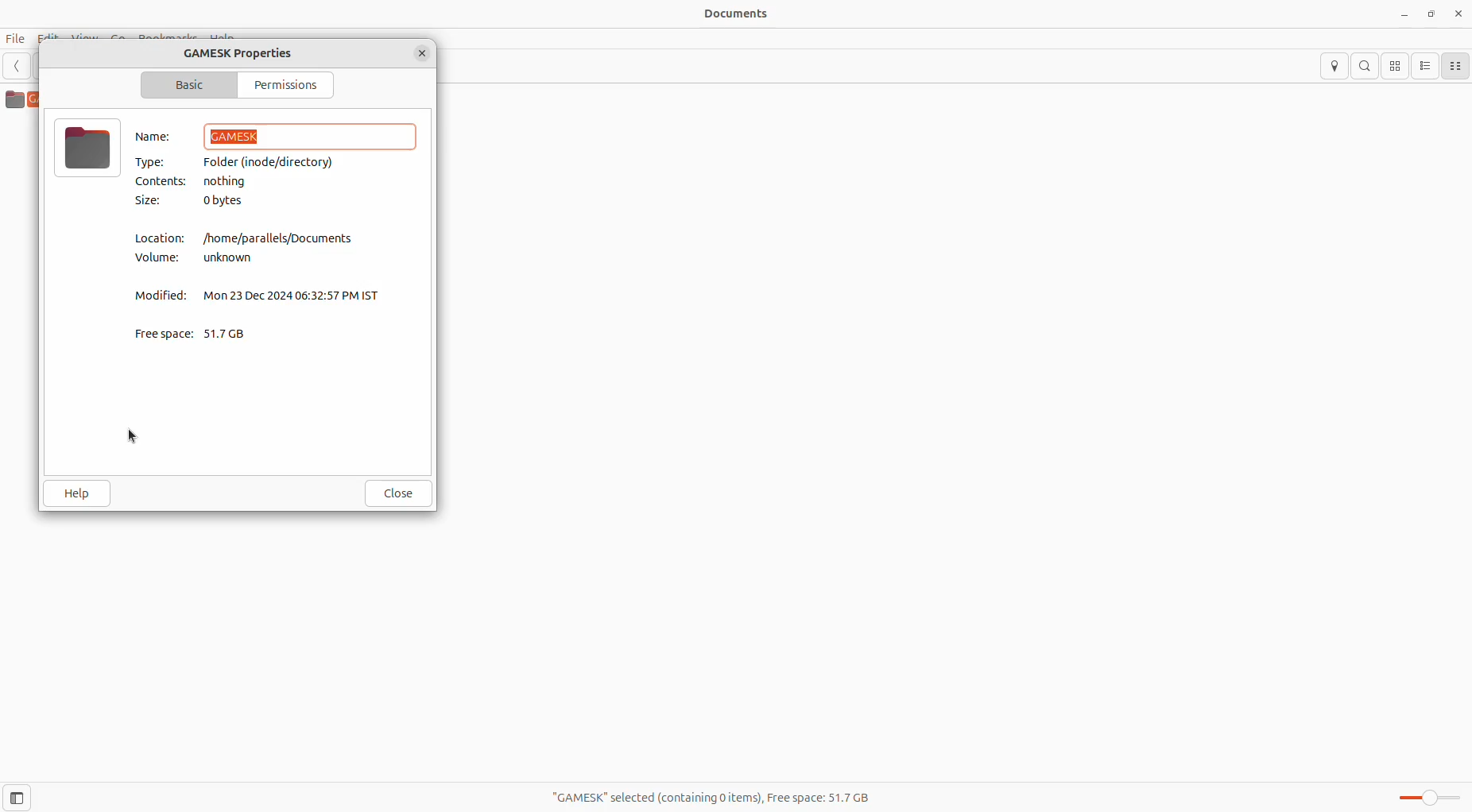 The width and height of the screenshot is (1472, 812). I want to click on Name, so click(152, 137).